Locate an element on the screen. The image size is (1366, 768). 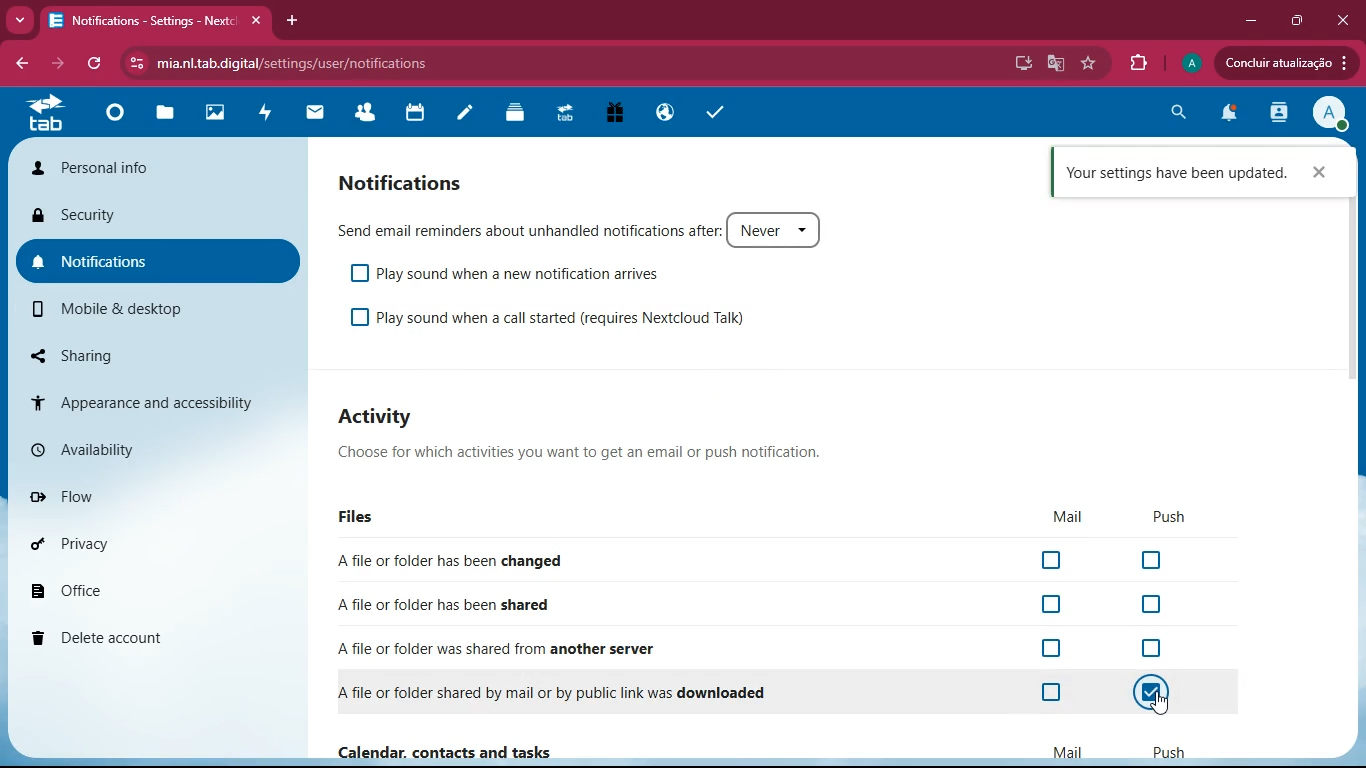
on is located at coordinates (1152, 697).